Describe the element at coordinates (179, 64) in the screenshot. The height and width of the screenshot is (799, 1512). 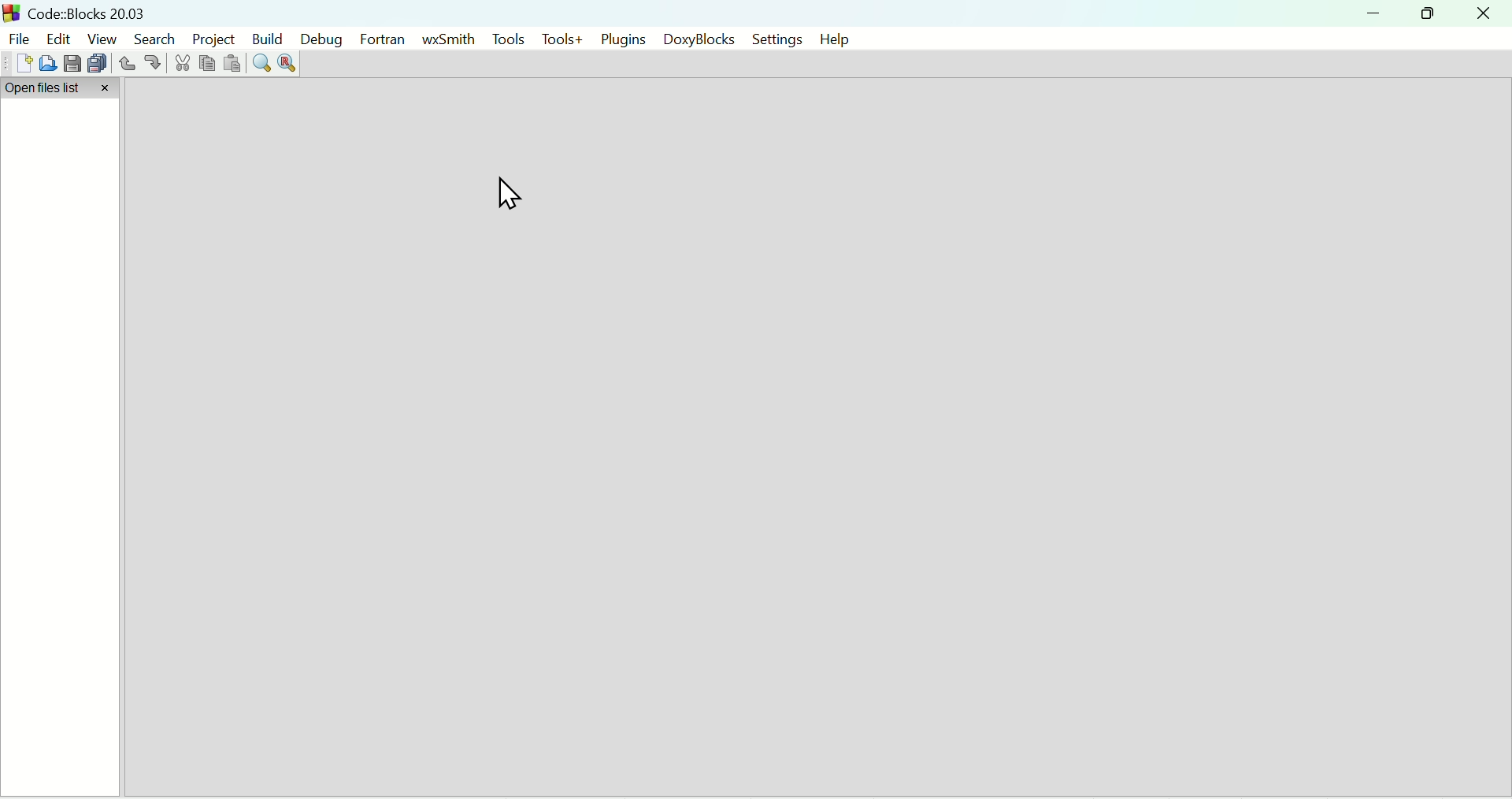
I see `Cut` at that location.